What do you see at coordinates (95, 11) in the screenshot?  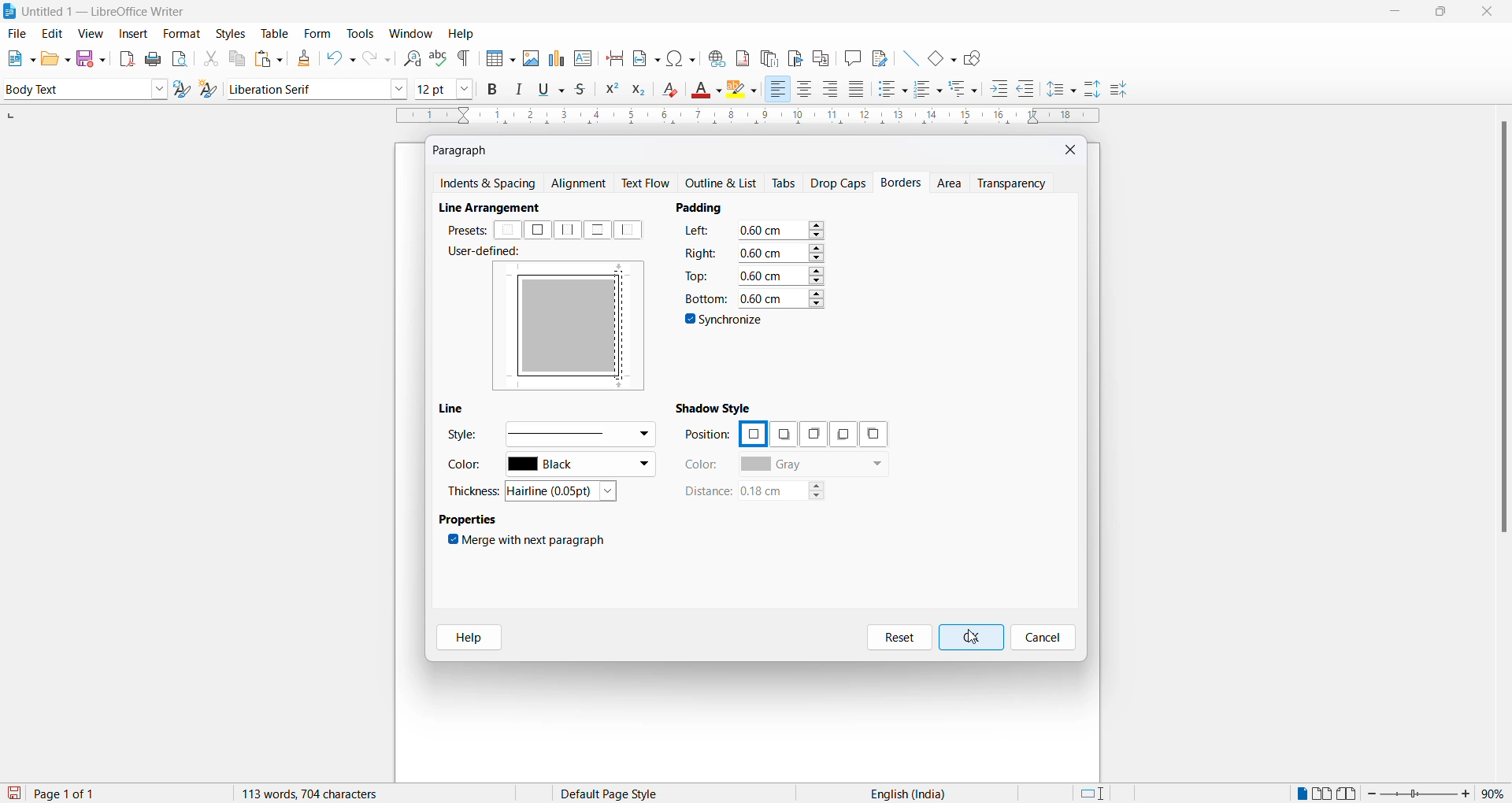 I see `file title` at bounding box center [95, 11].